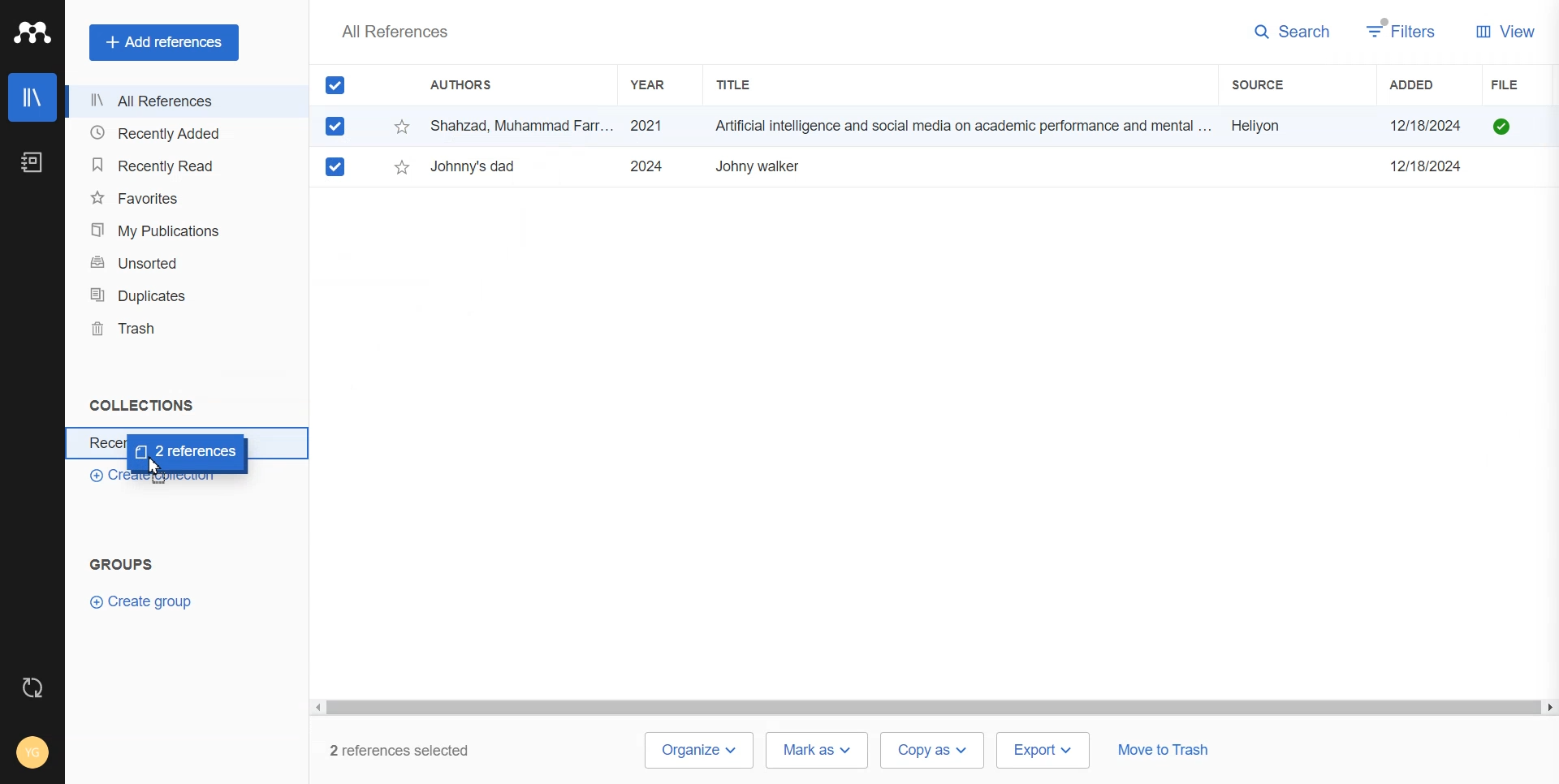  Describe the element at coordinates (182, 166) in the screenshot. I see `Recently Read` at that location.